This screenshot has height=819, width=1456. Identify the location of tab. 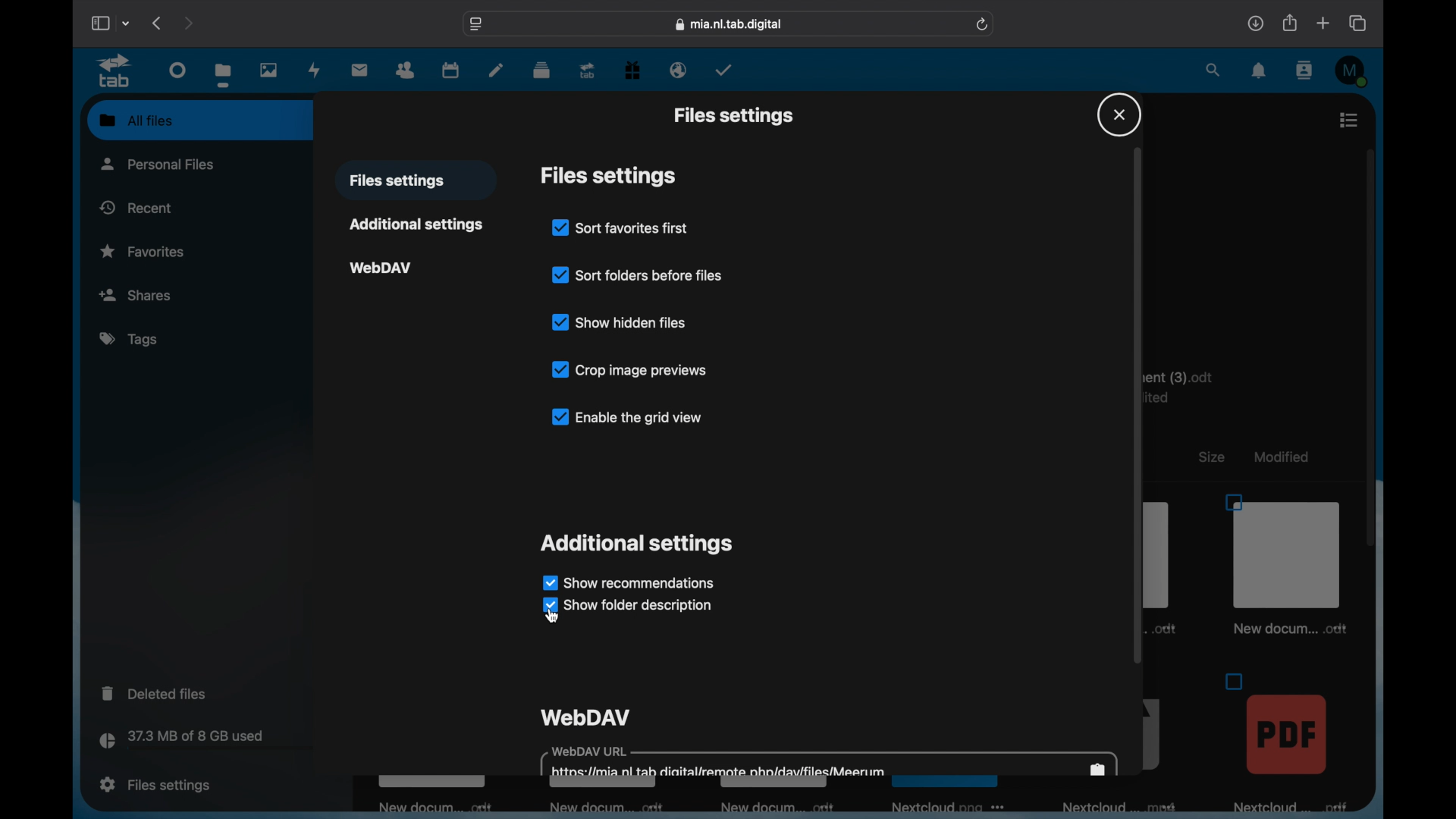
(588, 71).